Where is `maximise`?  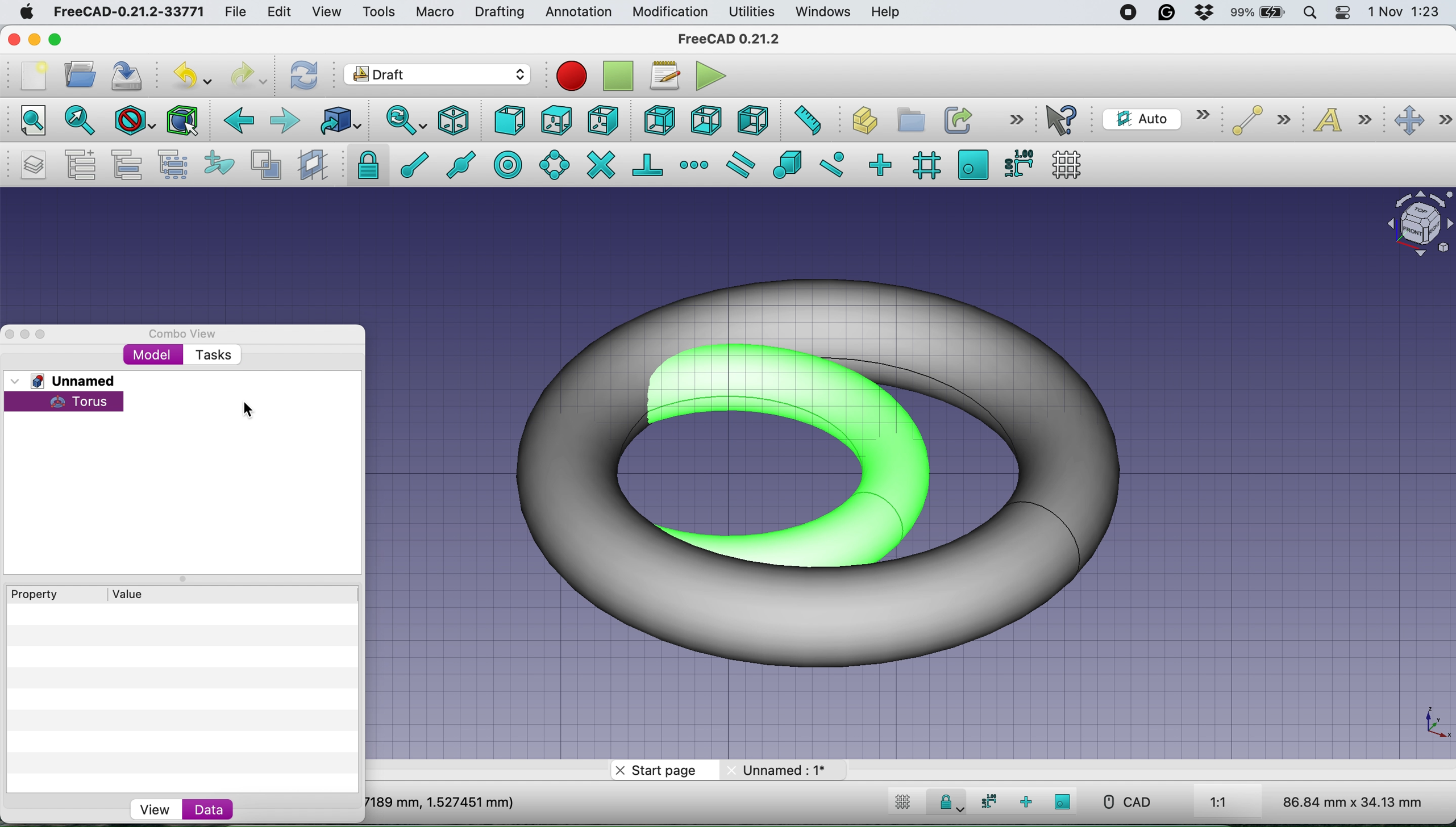 maximise is located at coordinates (57, 40).